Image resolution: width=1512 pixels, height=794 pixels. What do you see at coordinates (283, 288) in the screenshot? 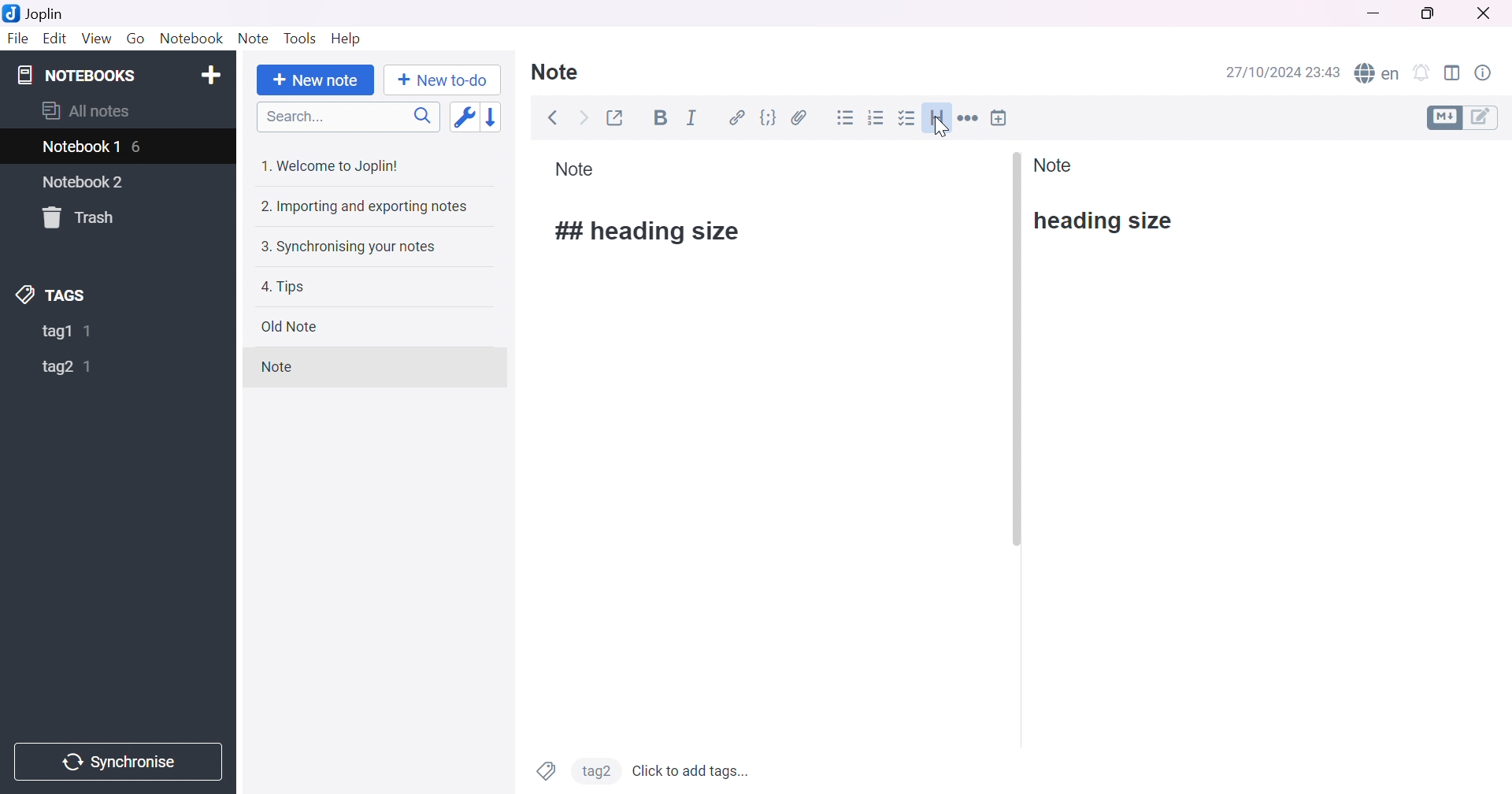
I see `4. Tips` at bounding box center [283, 288].